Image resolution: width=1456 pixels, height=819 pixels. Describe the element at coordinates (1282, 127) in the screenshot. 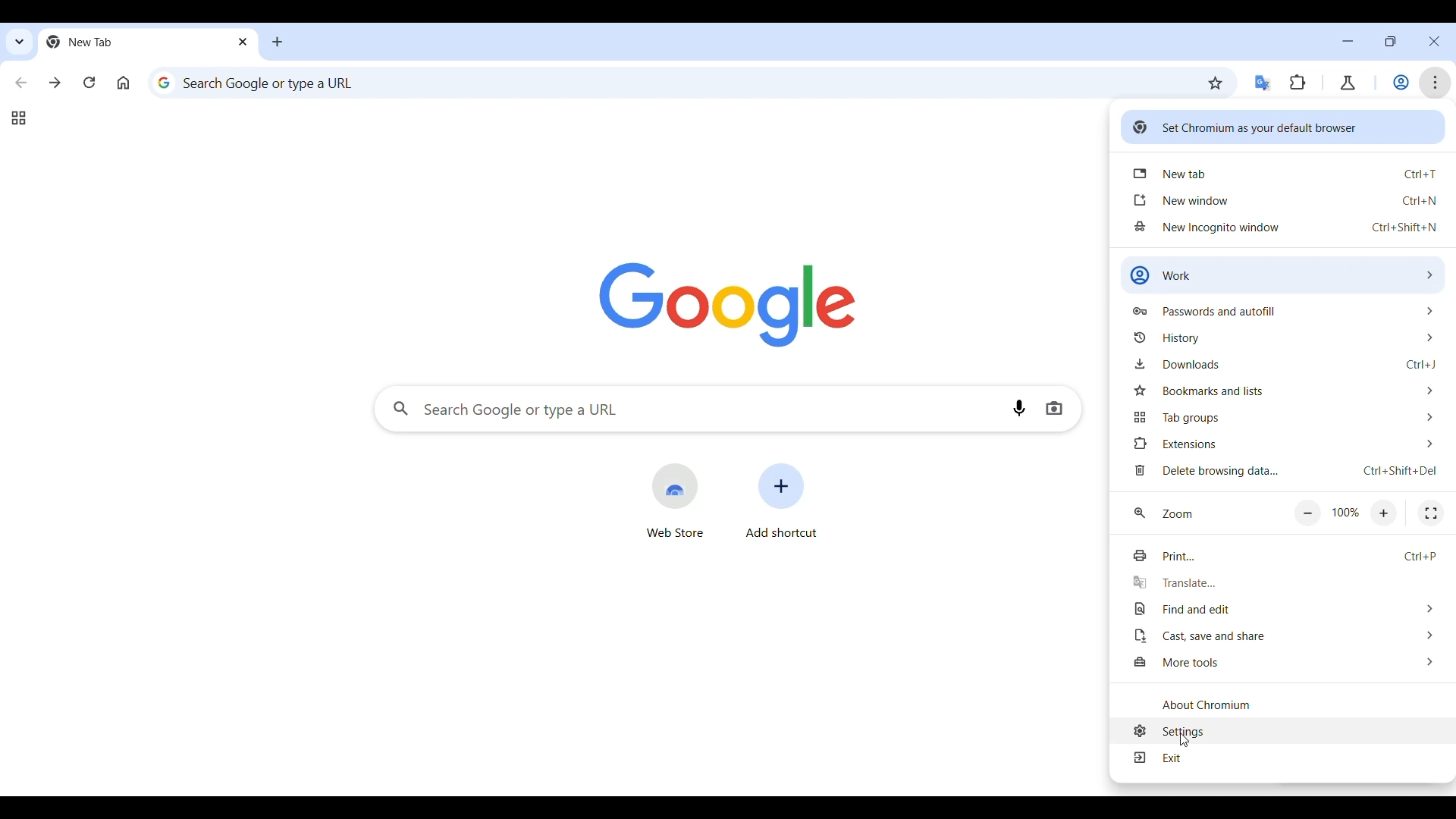

I see `Set Chromium as your default browser` at that location.